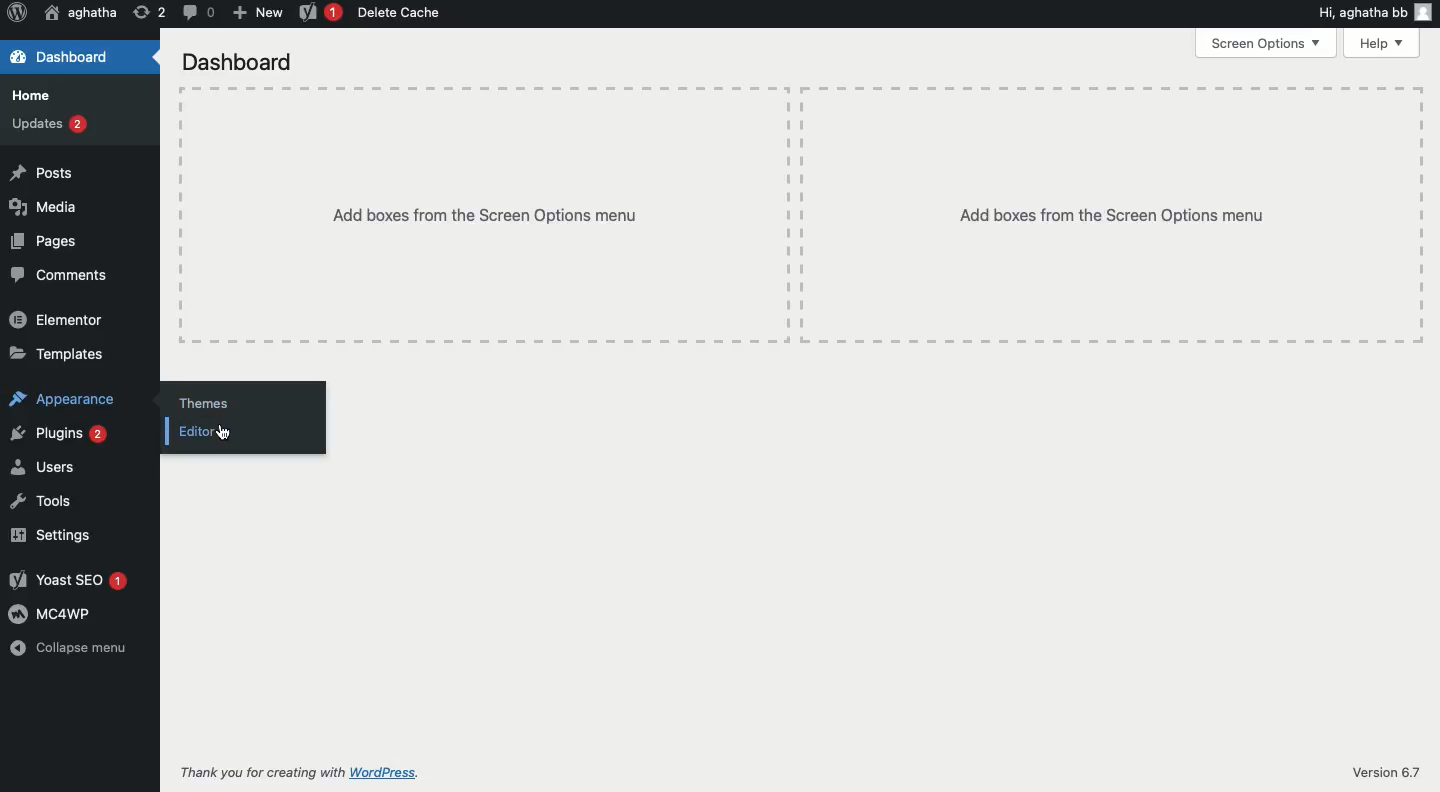 This screenshot has height=792, width=1440. Describe the element at coordinates (401, 13) in the screenshot. I see `Delete cache` at that location.